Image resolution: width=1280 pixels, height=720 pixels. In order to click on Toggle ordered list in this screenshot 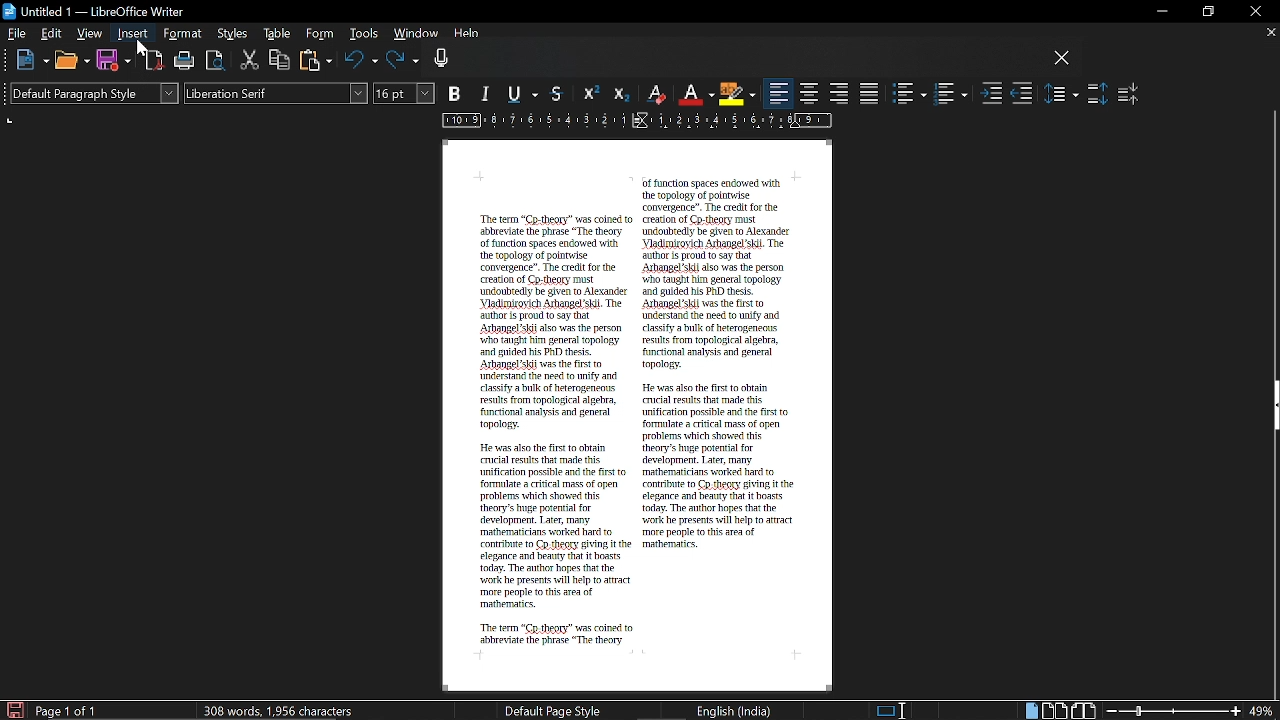, I will do `click(950, 94)`.